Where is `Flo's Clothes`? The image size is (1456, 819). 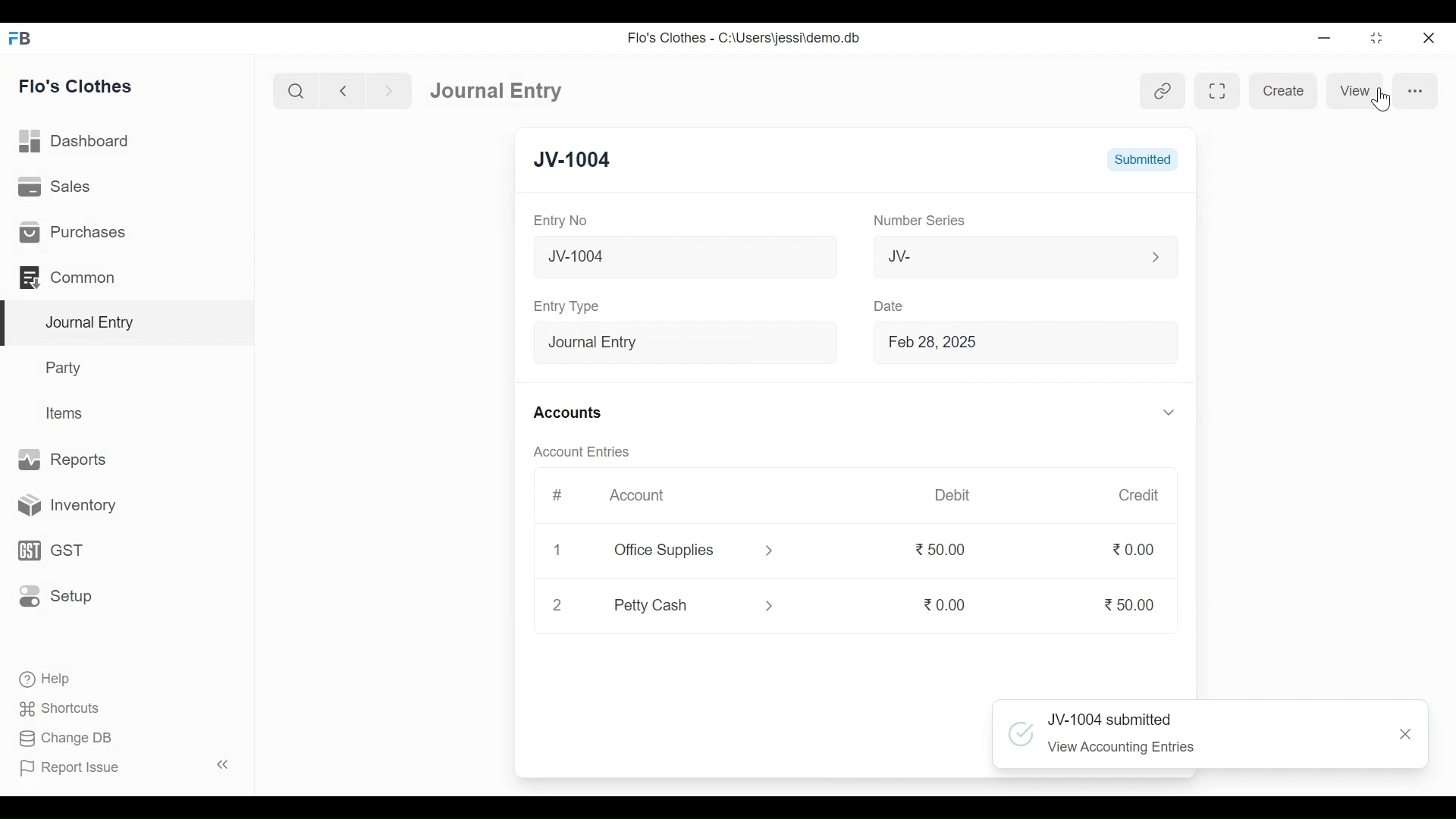
Flo's Clothes is located at coordinates (76, 86).